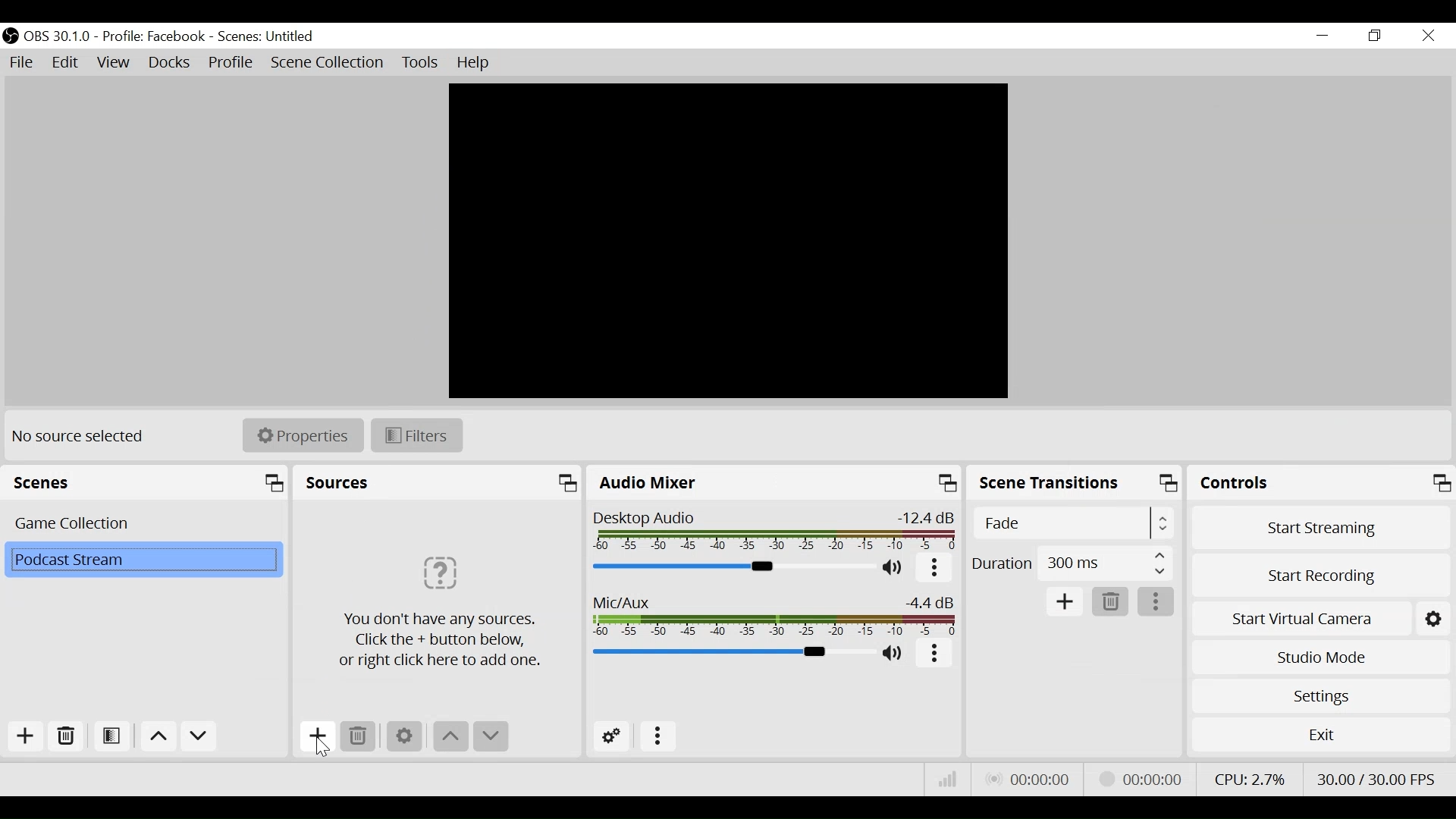 This screenshot has height=819, width=1456. I want to click on Desktop Audio, so click(775, 532).